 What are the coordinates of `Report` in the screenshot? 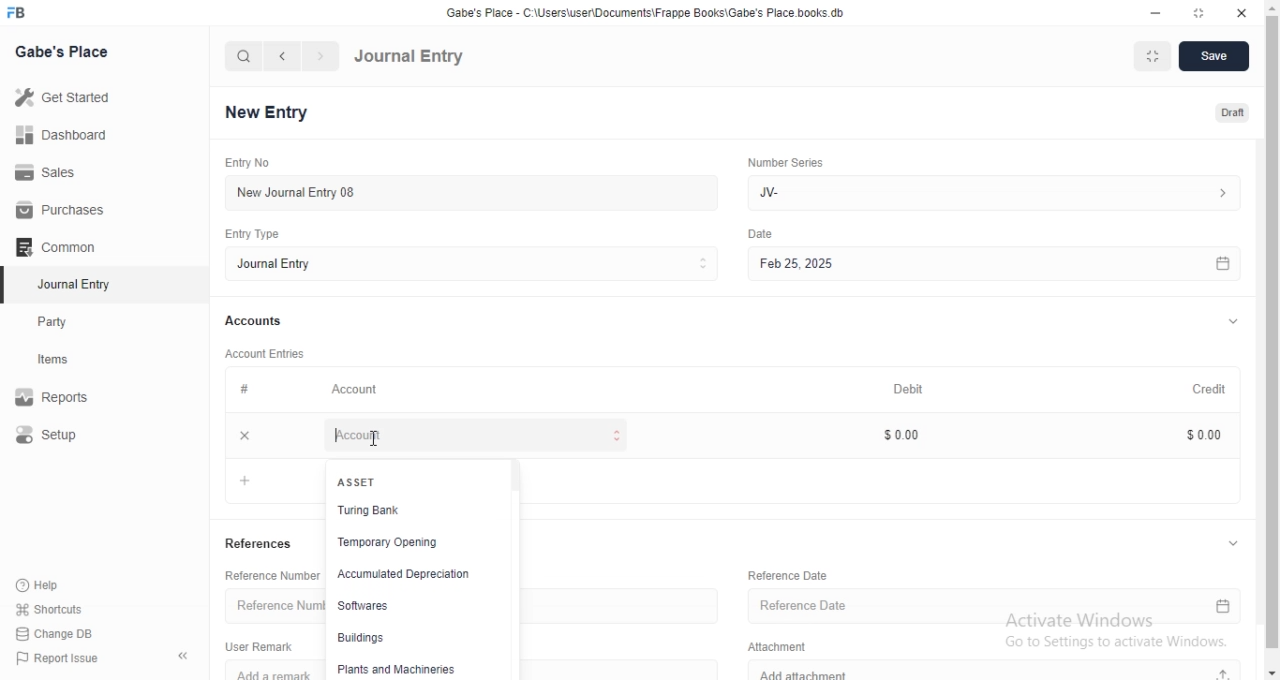 It's located at (67, 397).